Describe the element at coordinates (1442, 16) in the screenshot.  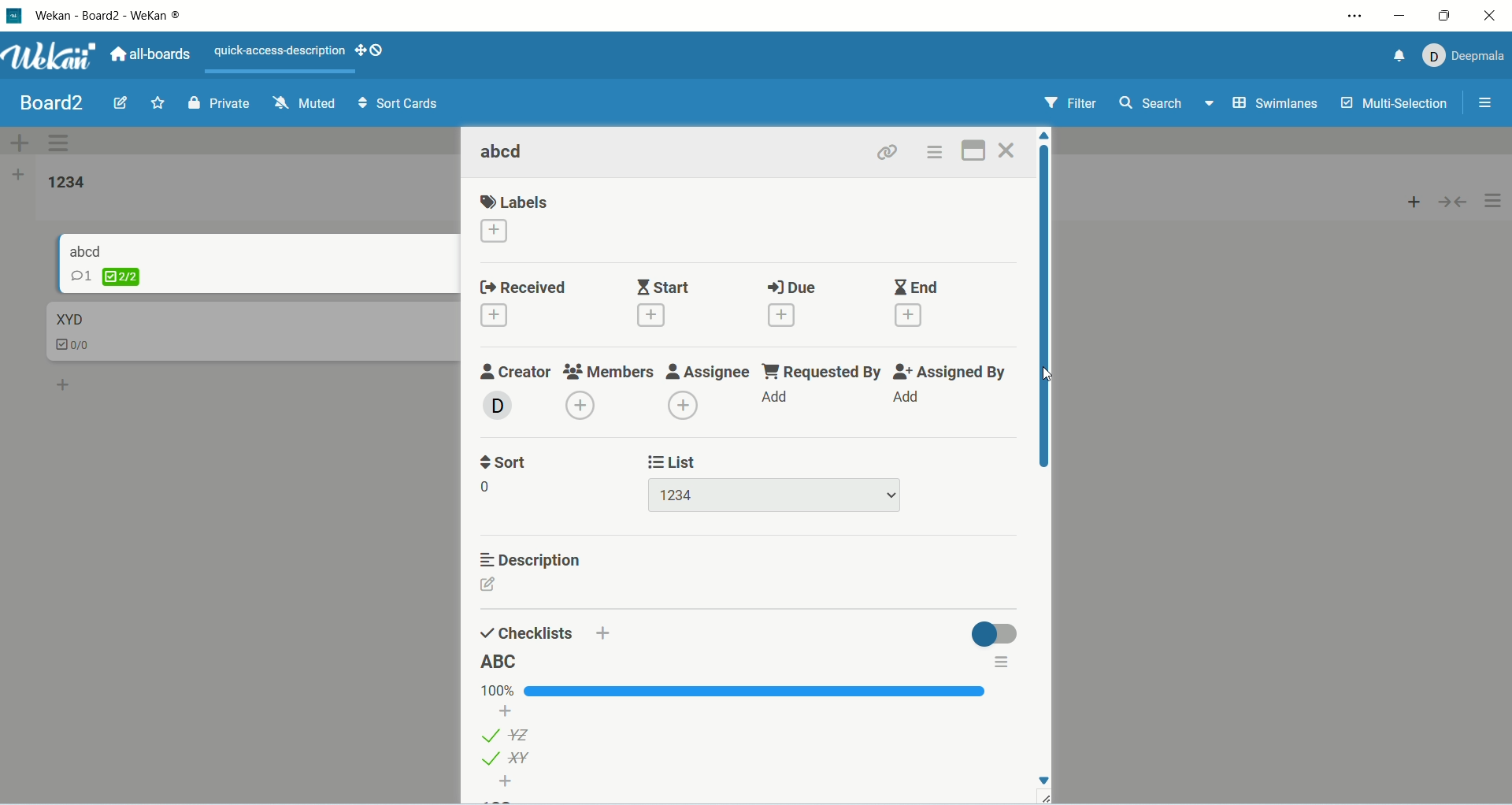
I see `maximize` at that location.